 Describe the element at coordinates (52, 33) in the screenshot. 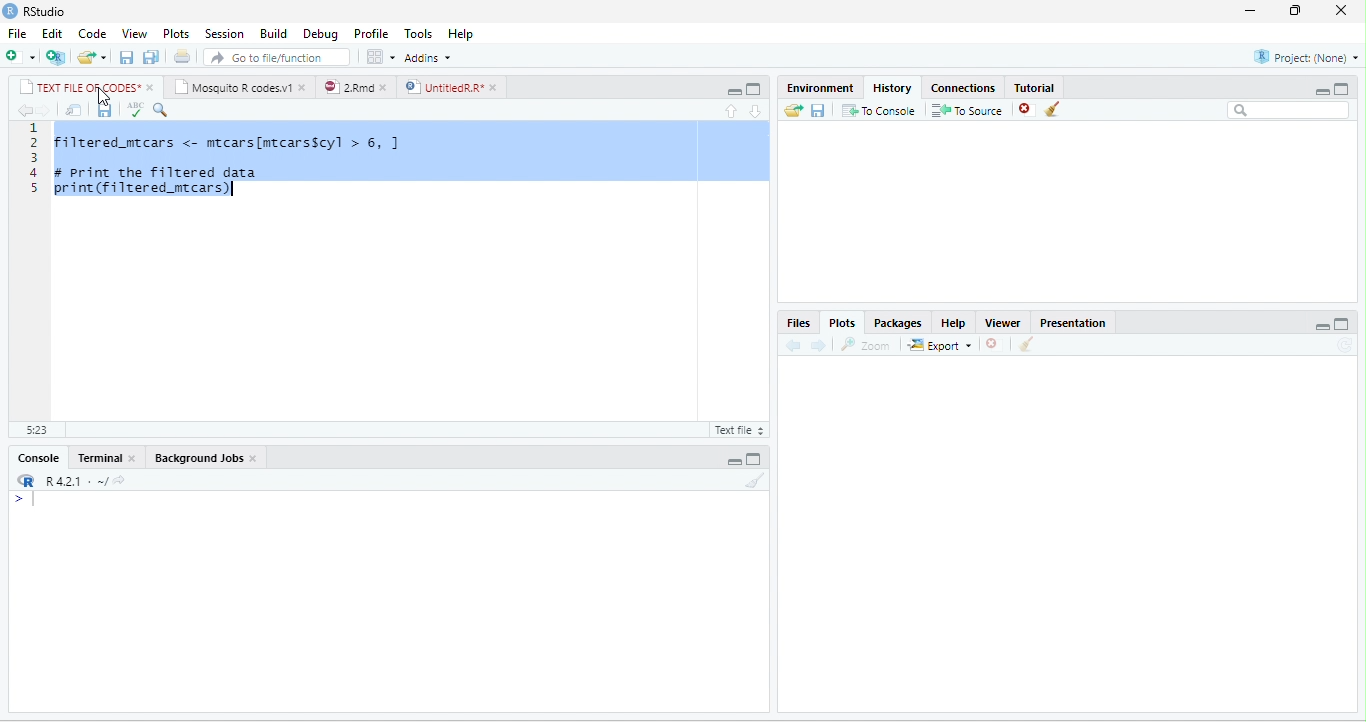

I see `Edit` at that location.